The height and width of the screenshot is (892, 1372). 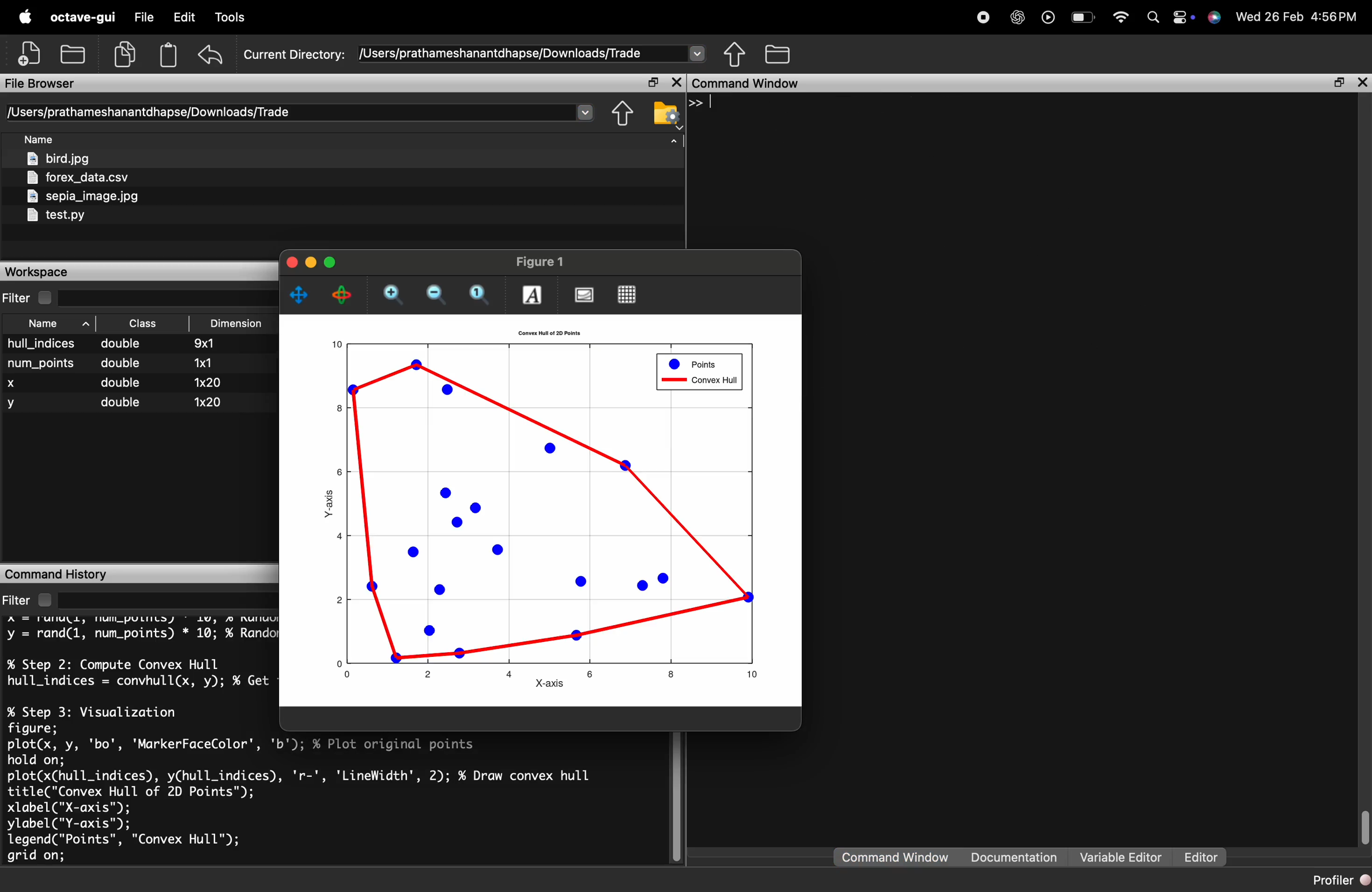 What do you see at coordinates (533, 294) in the screenshot?
I see `insert text` at bounding box center [533, 294].